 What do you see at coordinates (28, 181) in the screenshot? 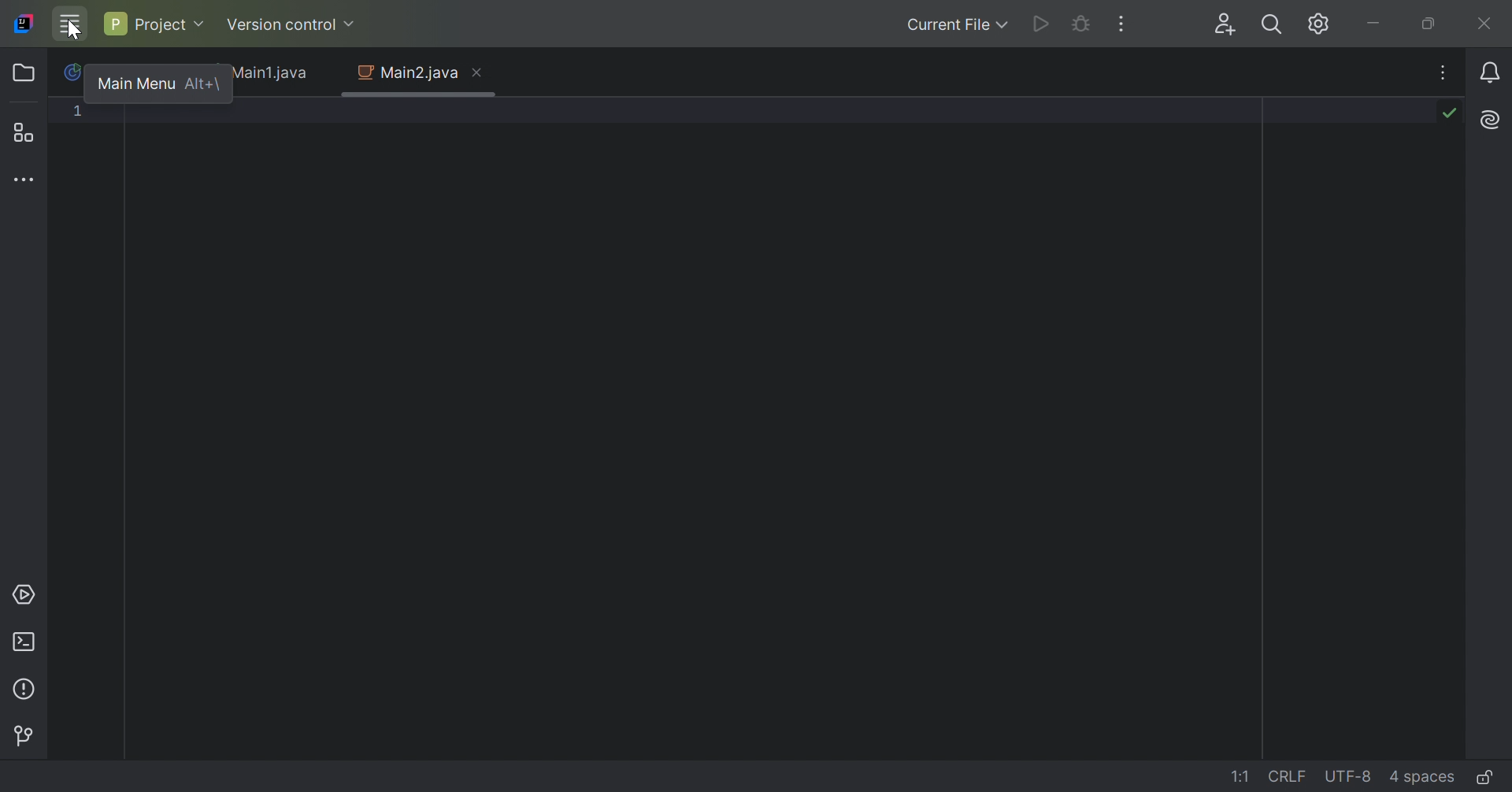
I see `More tool windows` at bounding box center [28, 181].